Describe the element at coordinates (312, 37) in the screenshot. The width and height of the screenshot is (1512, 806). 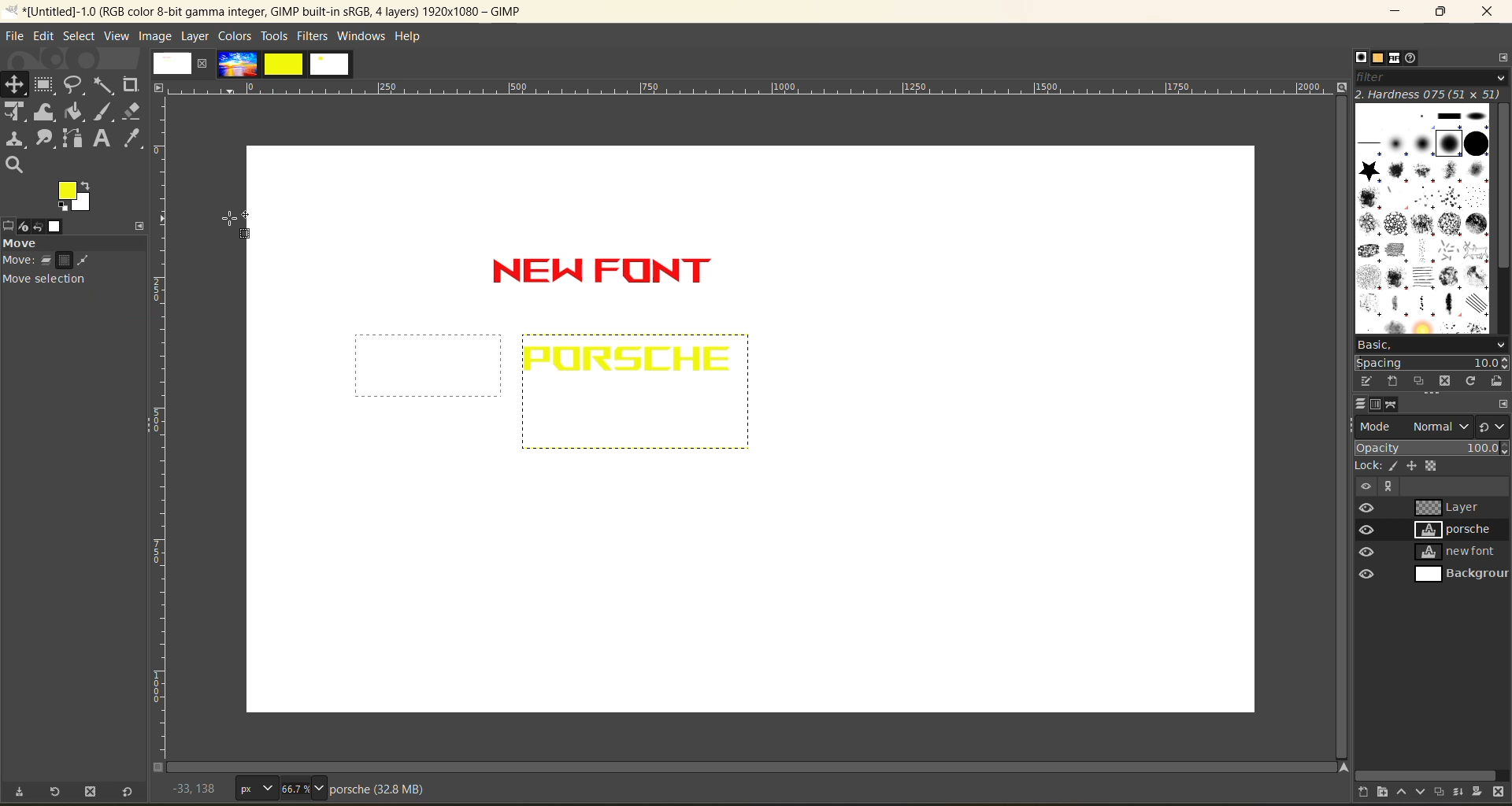
I see `filters` at that location.